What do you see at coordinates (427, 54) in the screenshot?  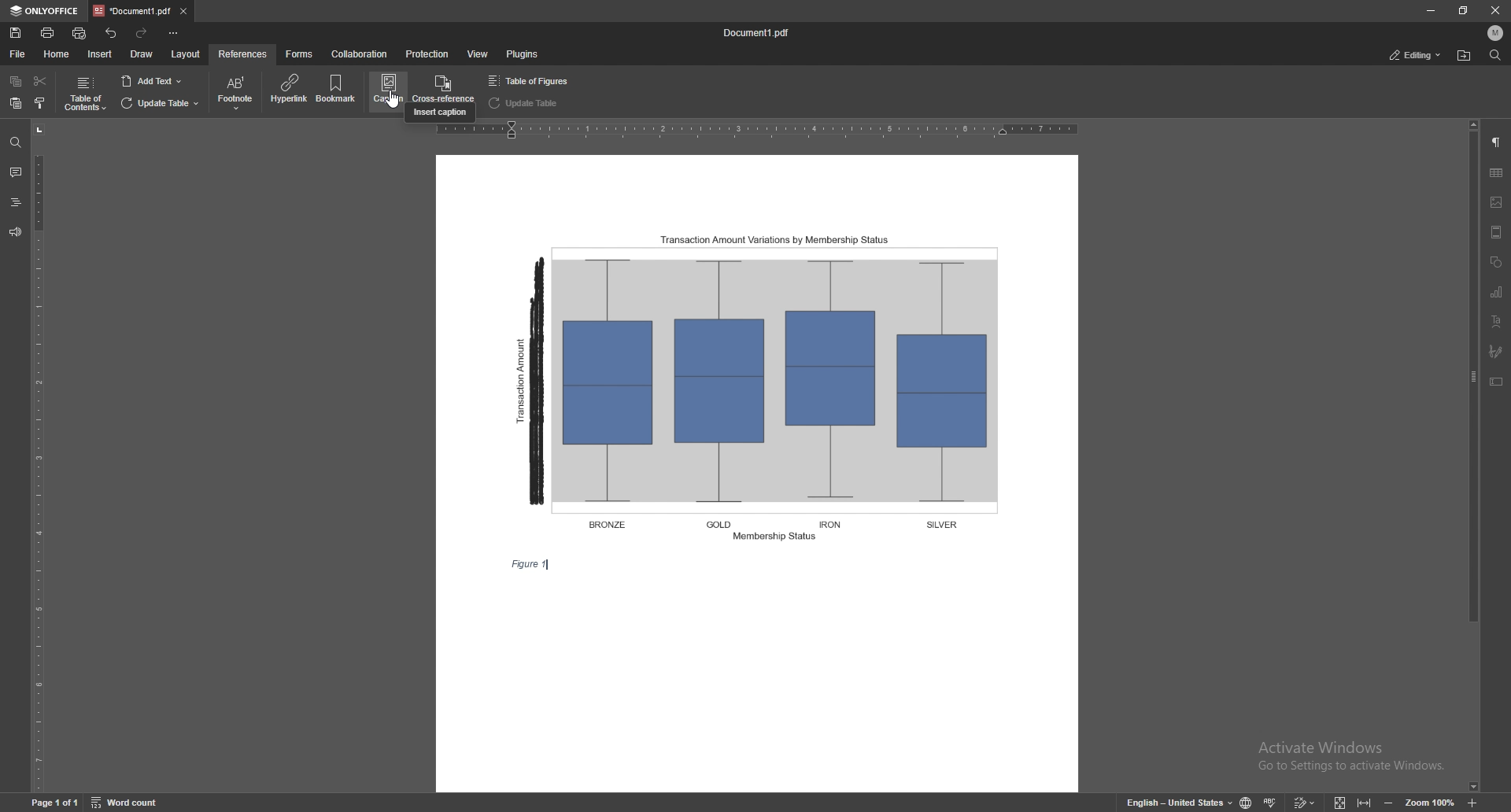 I see `protection` at bounding box center [427, 54].